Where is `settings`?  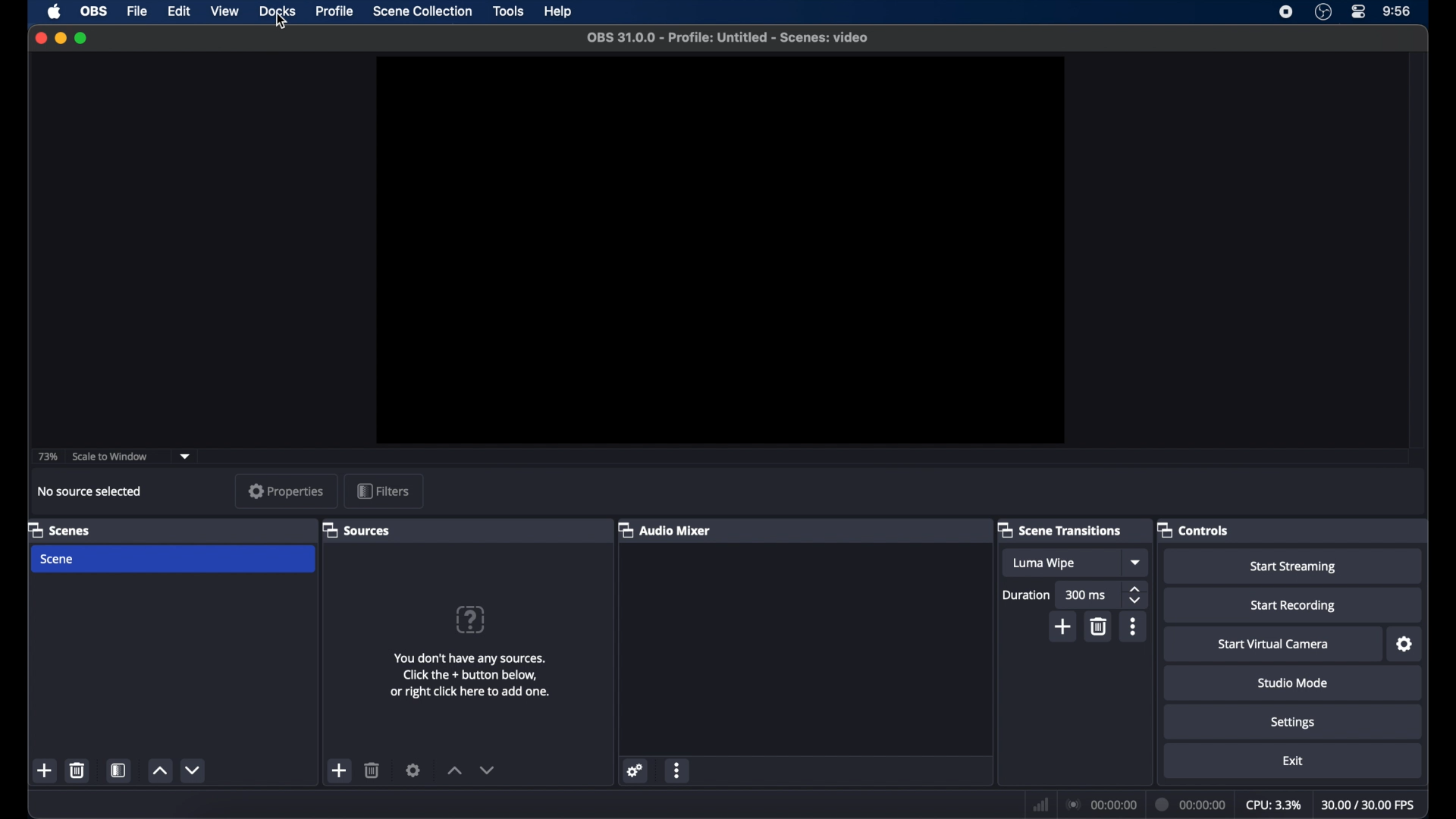
settings is located at coordinates (1292, 722).